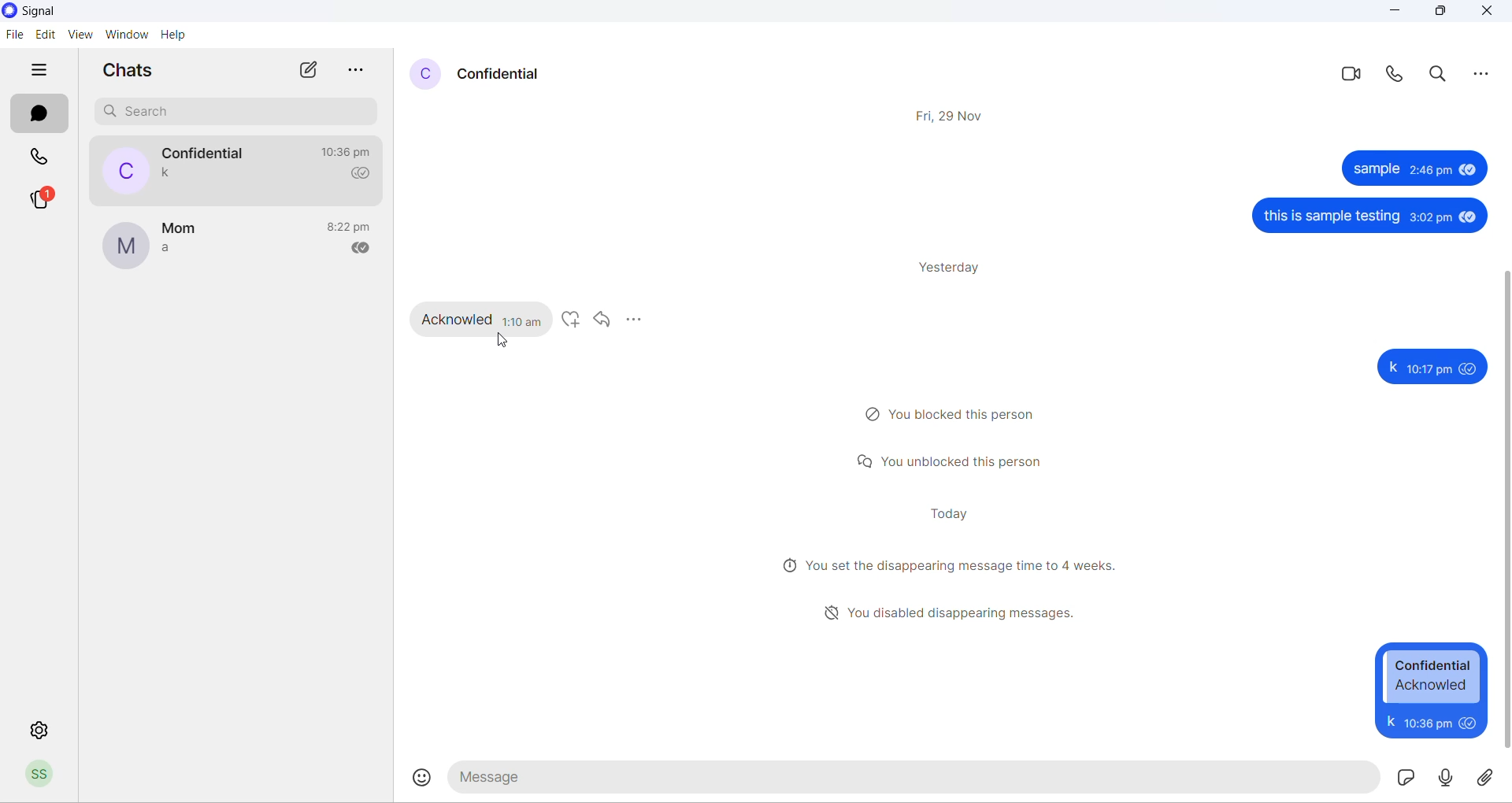 Image resolution: width=1512 pixels, height=803 pixels. What do you see at coordinates (419, 75) in the screenshot?
I see `profile picture` at bounding box center [419, 75].